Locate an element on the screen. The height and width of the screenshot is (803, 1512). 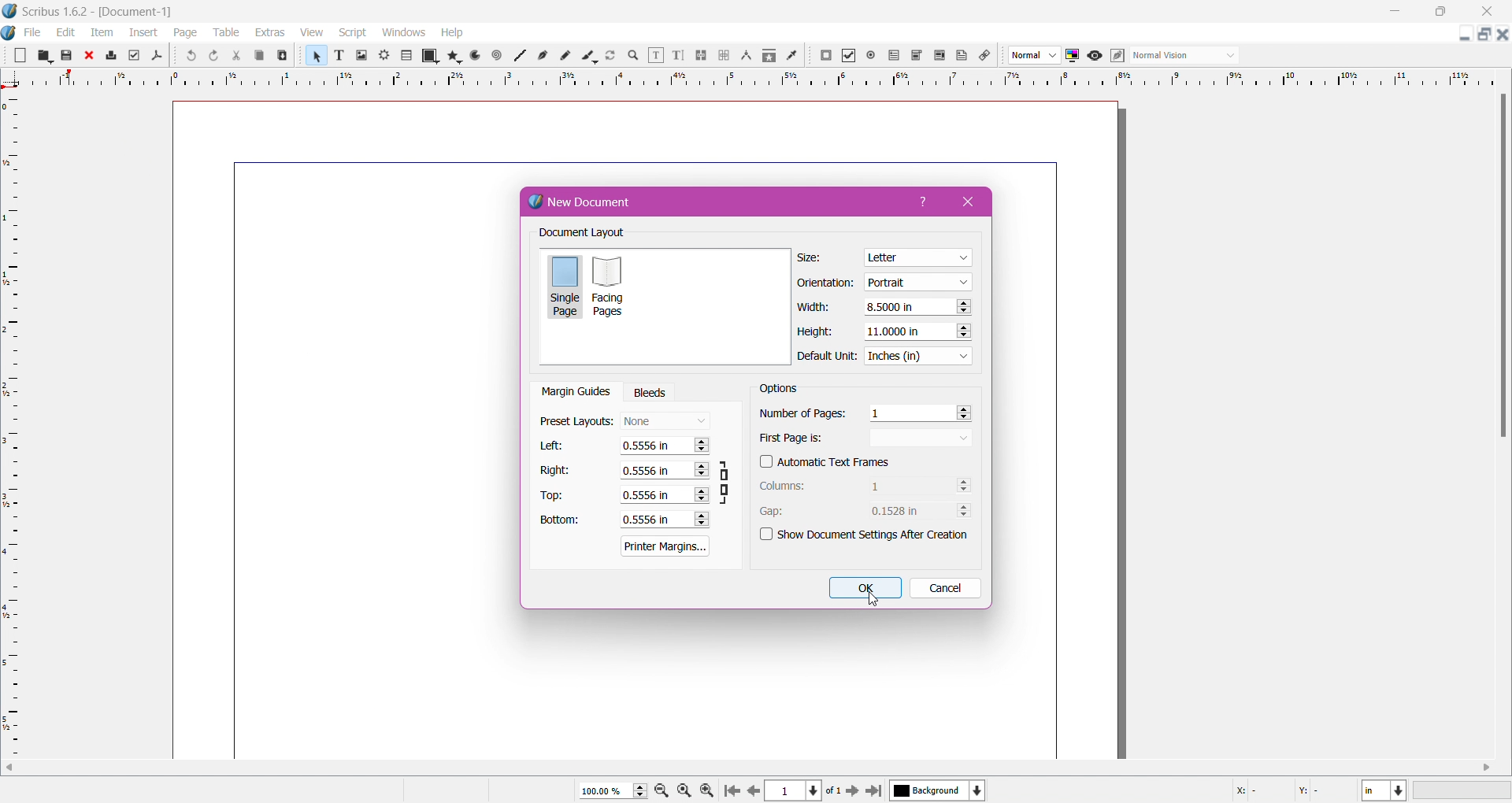
icon is located at coordinates (984, 56).